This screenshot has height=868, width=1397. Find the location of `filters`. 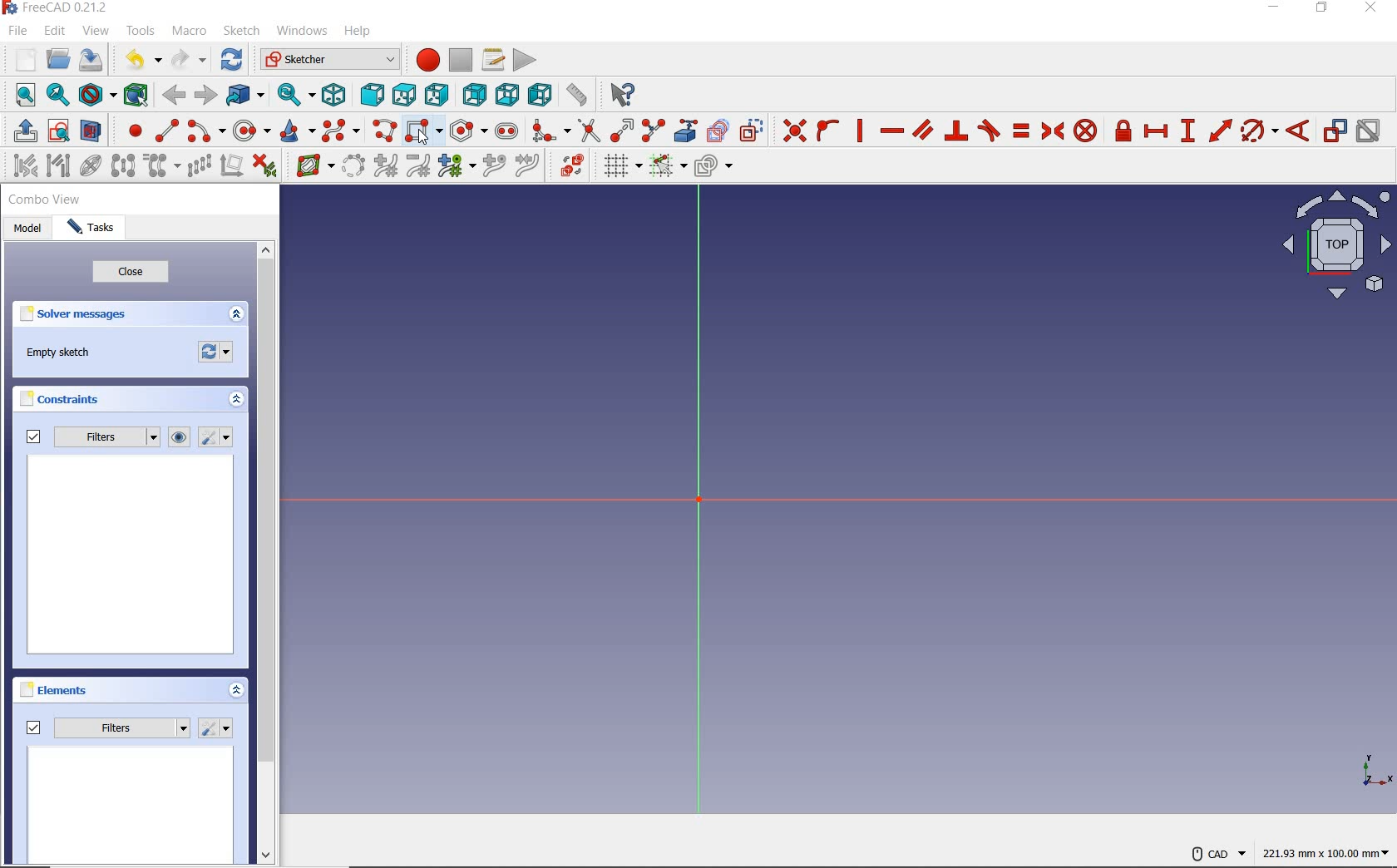

filters is located at coordinates (107, 727).